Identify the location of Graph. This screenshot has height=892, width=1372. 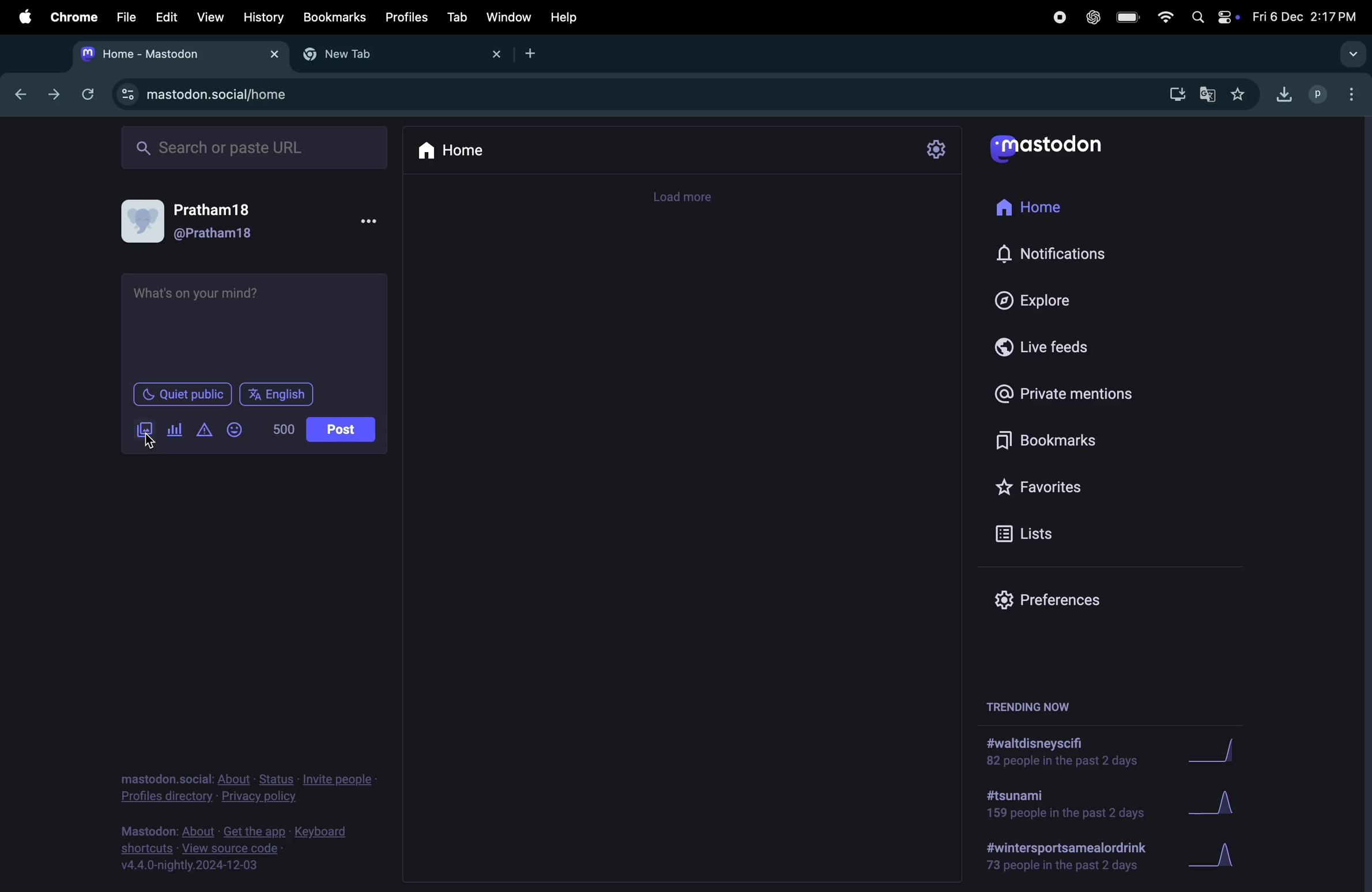
(1228, 852).